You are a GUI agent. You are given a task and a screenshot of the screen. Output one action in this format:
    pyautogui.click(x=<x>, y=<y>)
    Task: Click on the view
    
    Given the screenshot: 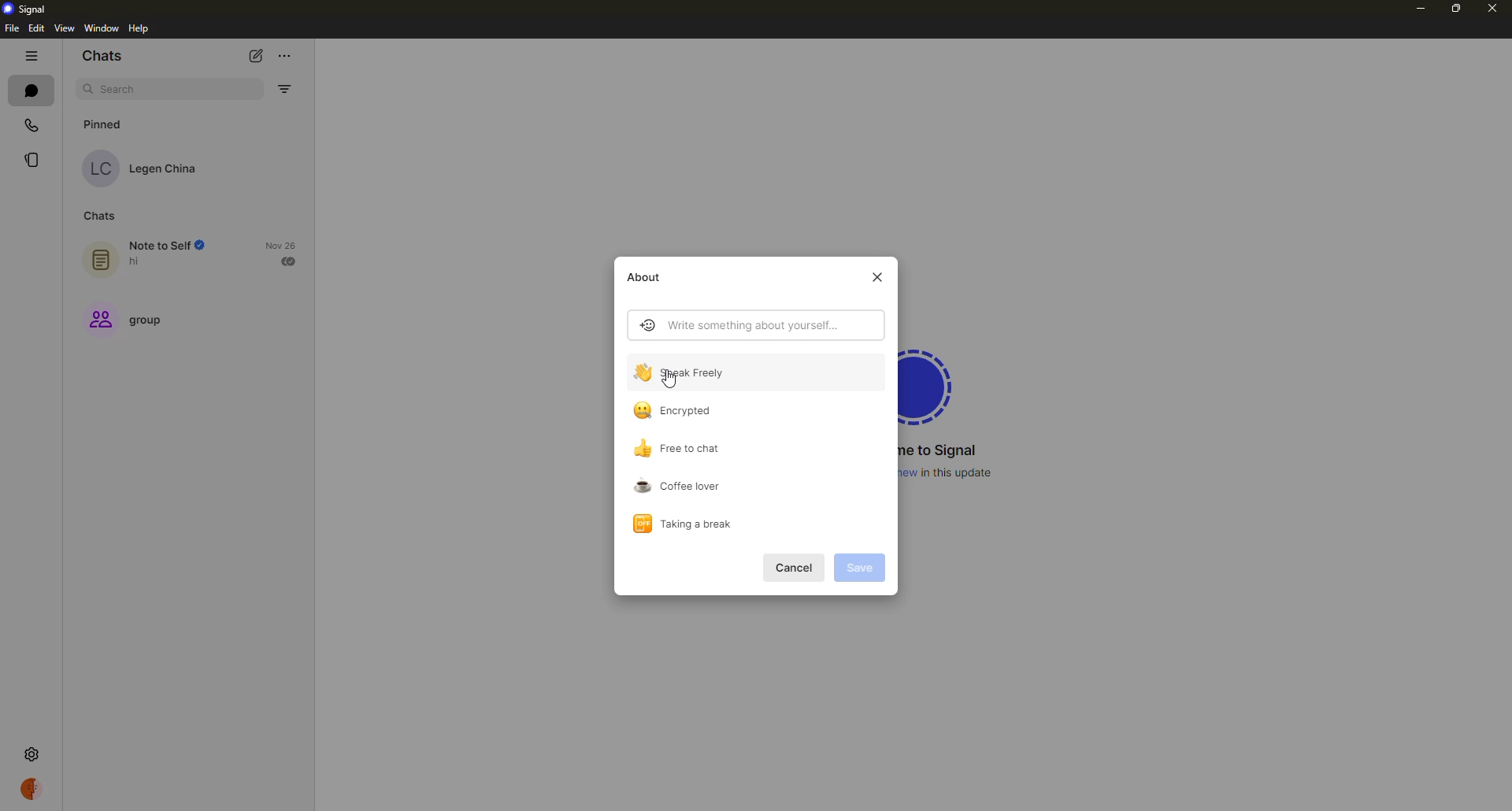 What is the action you would take?
    pyautogui.click(x=63, y=29)
    